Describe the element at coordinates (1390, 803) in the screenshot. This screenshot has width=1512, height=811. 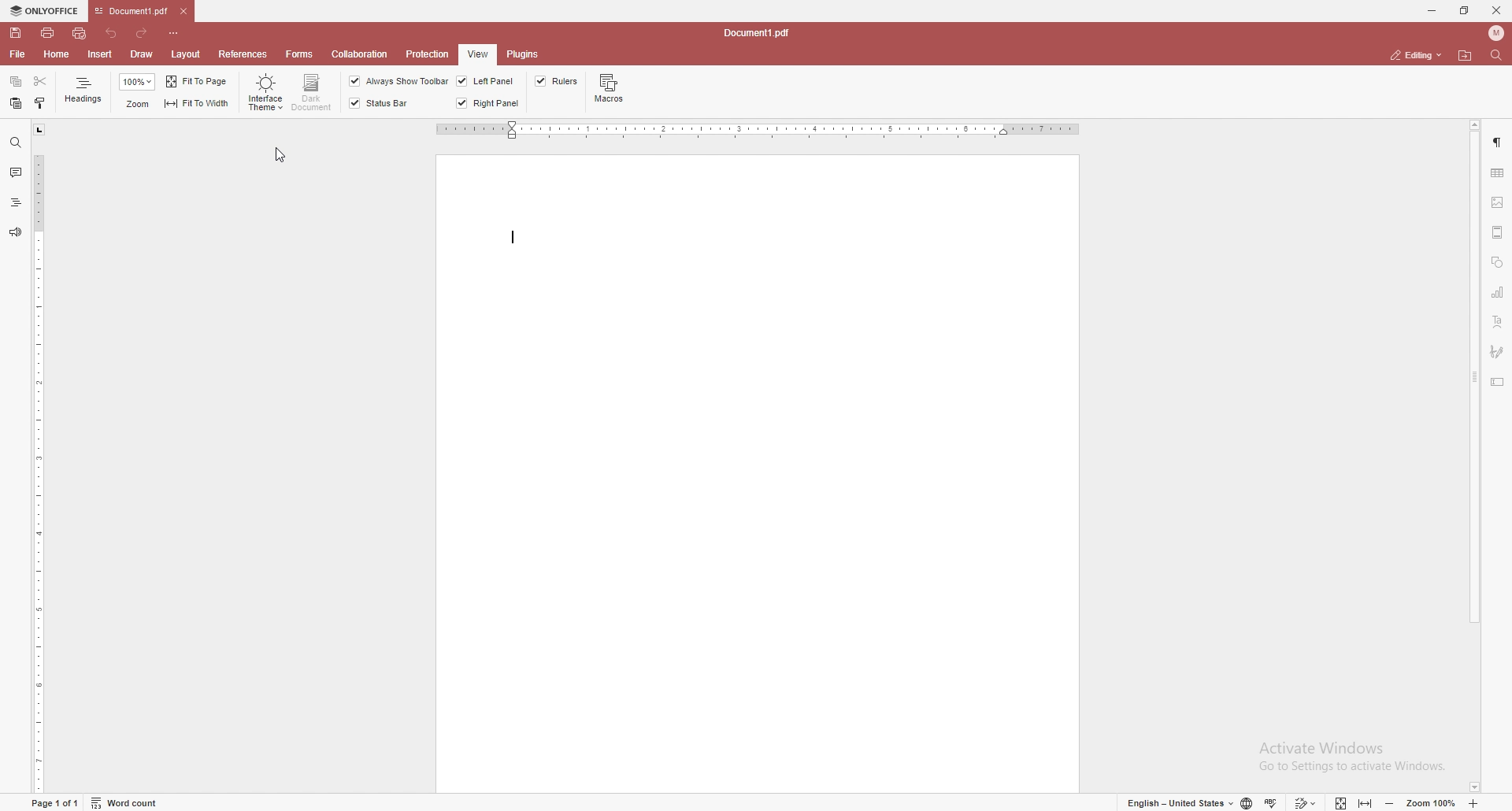
I see `zoom out` at that location.